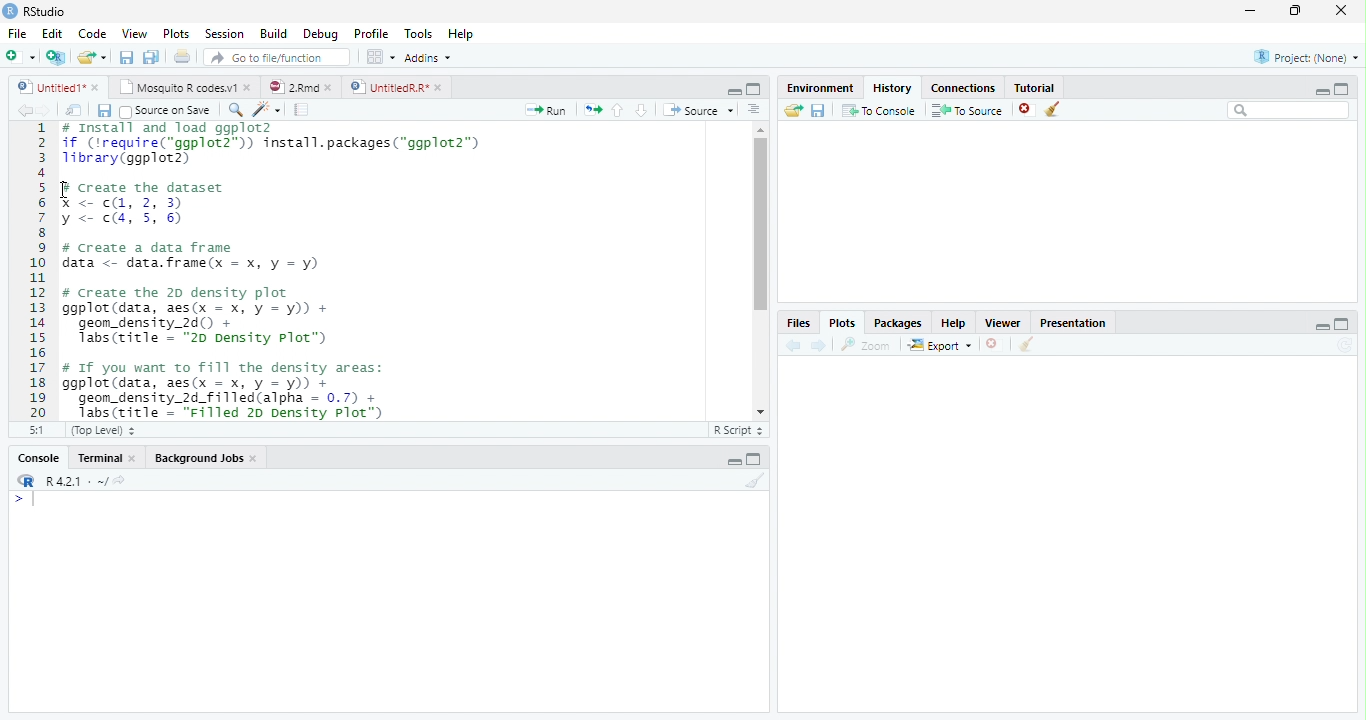 This screenshot has width=1366, height=720. What do you see at coordinates (897, 325) in the screenshot?
I see `Packages` at bounding box center [897, 325].